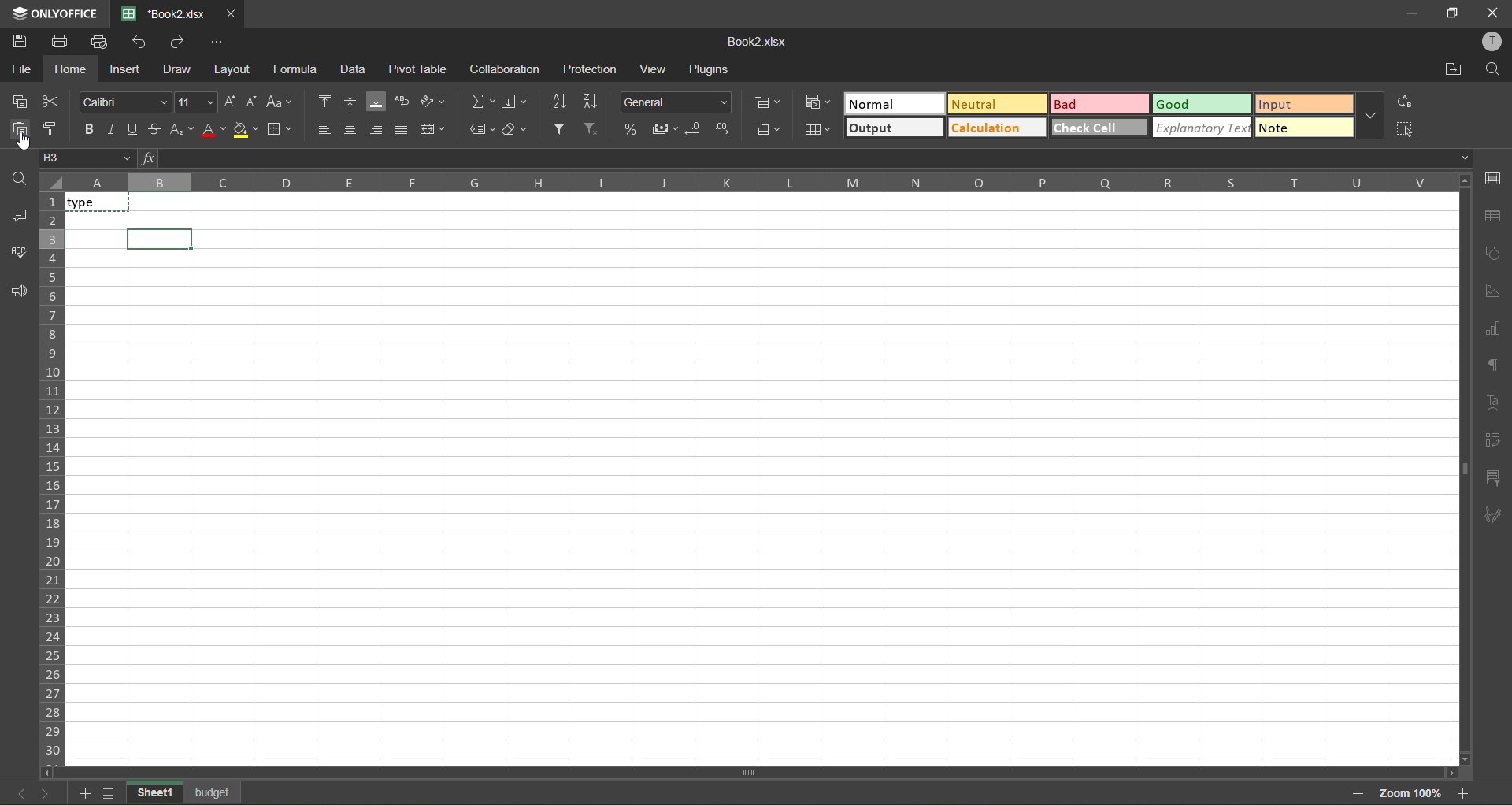  Describe the element at coordinates (18, 216) in the screenshot. I see `comments` at that location.